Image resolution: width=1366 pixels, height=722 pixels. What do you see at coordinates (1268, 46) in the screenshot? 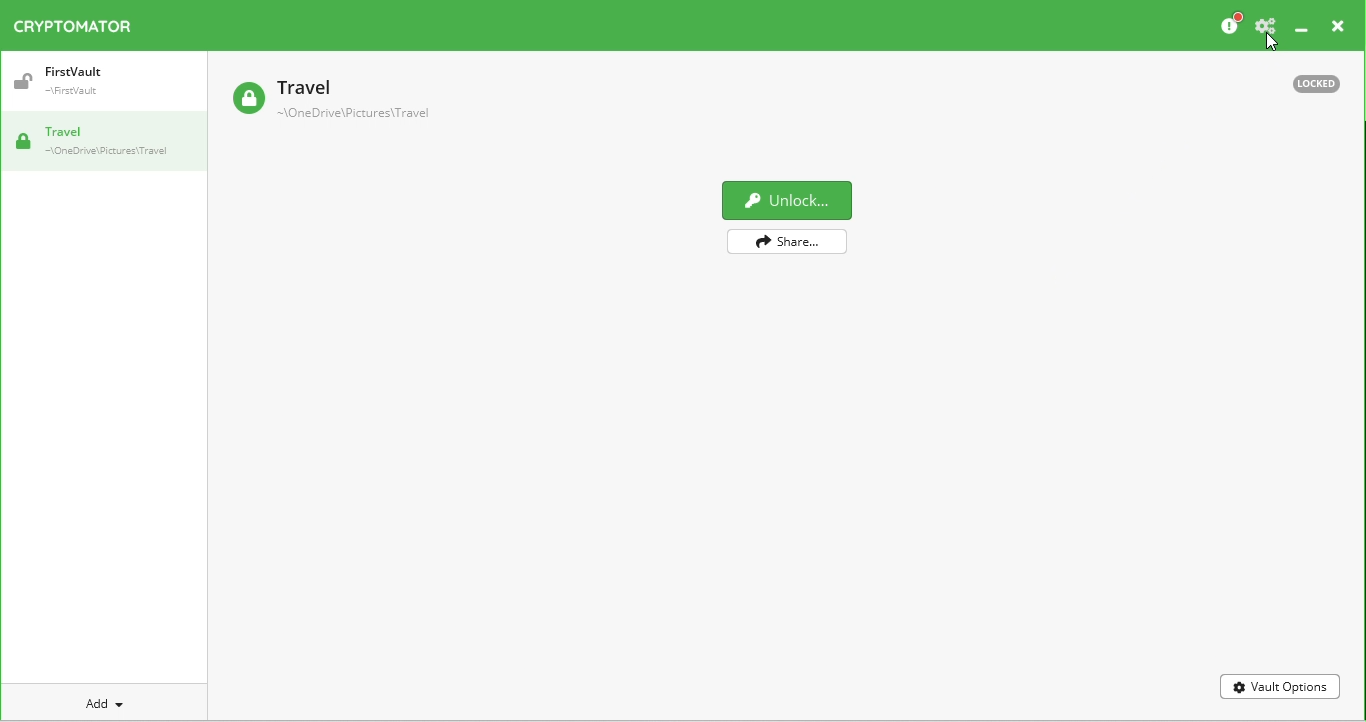
I see `Cursor` at bounding box center [1268, 46].